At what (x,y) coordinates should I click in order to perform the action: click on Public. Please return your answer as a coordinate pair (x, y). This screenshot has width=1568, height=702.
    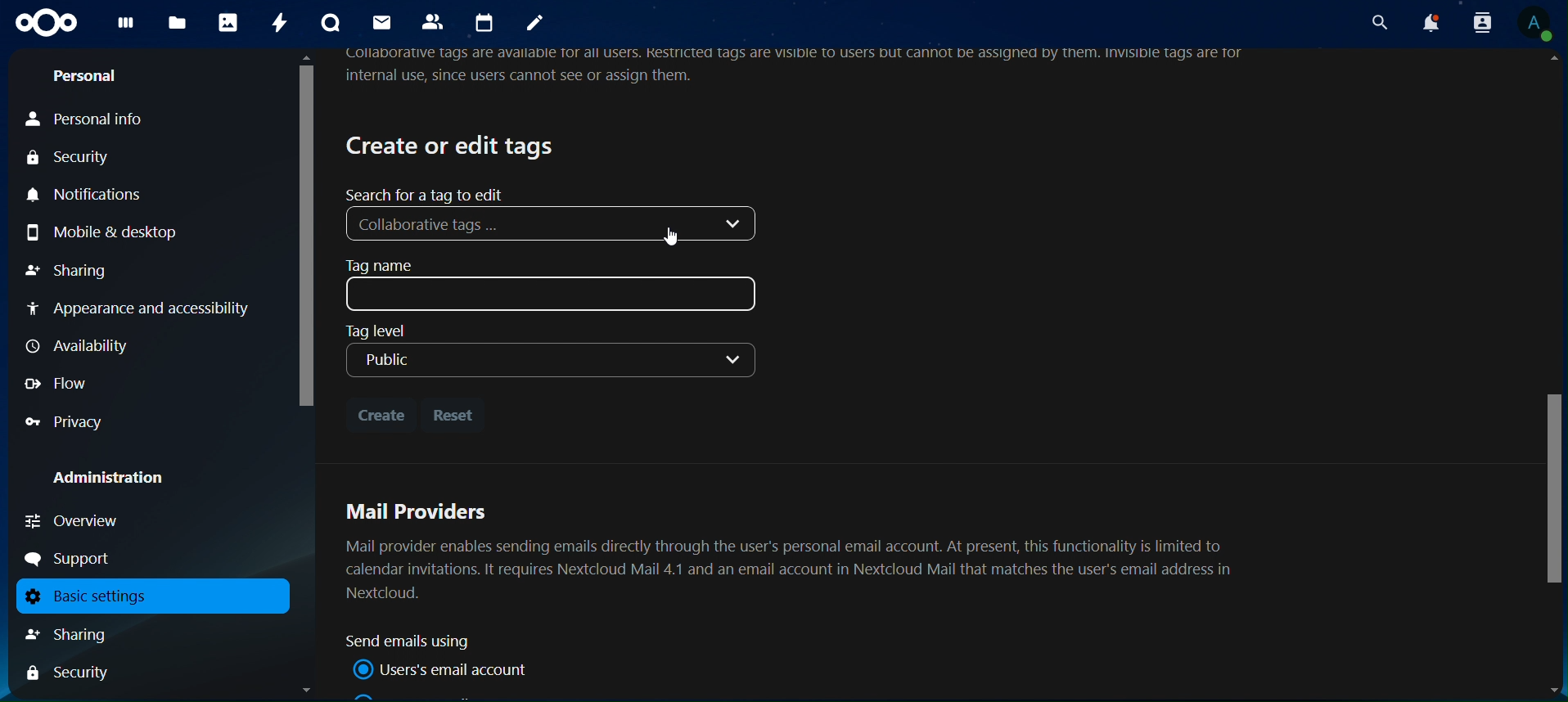
    Looking at the image, I should click on (549, 359).